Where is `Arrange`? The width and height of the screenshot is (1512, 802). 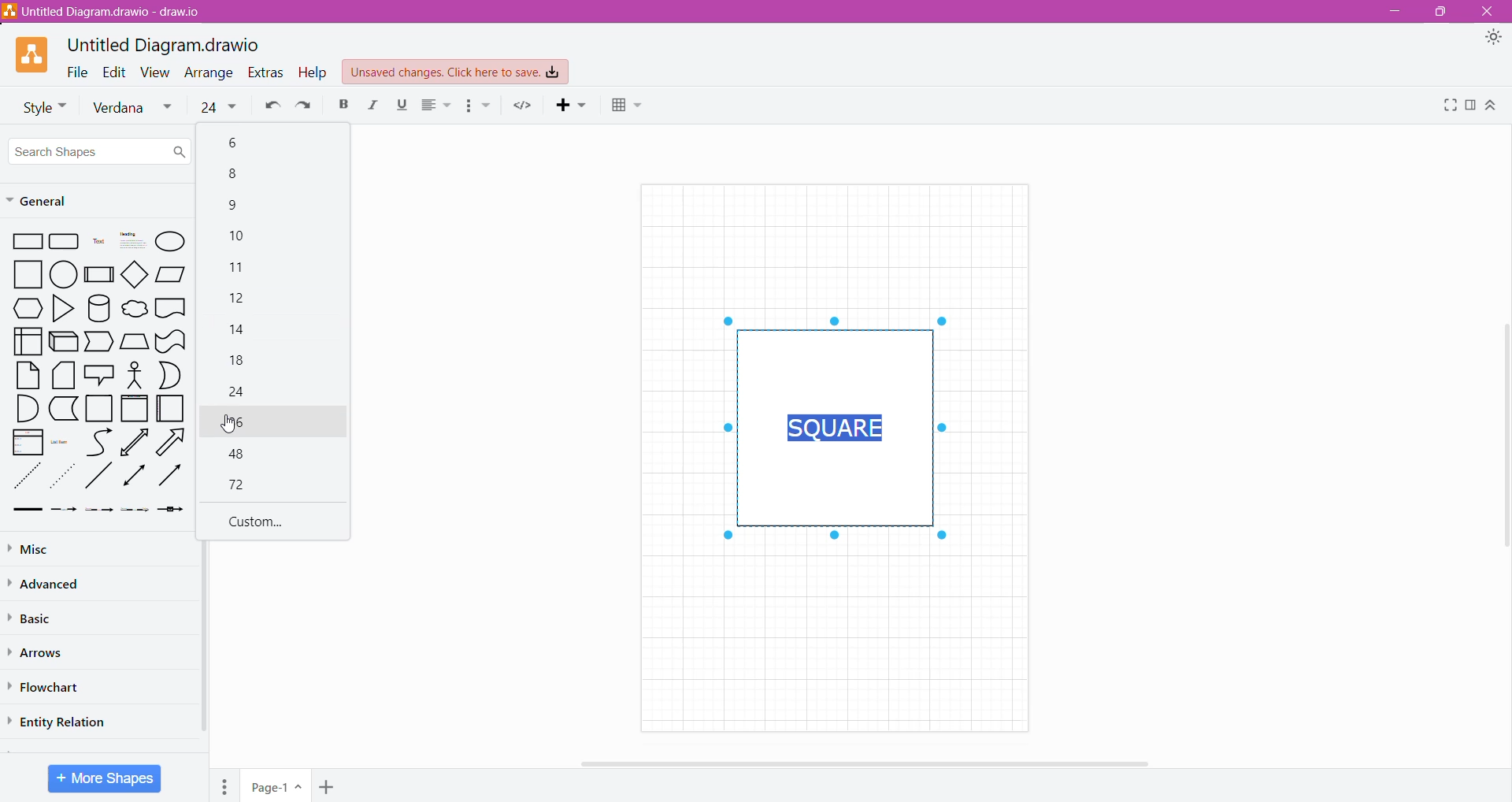
Arrange is located at coordinates (210, 73).